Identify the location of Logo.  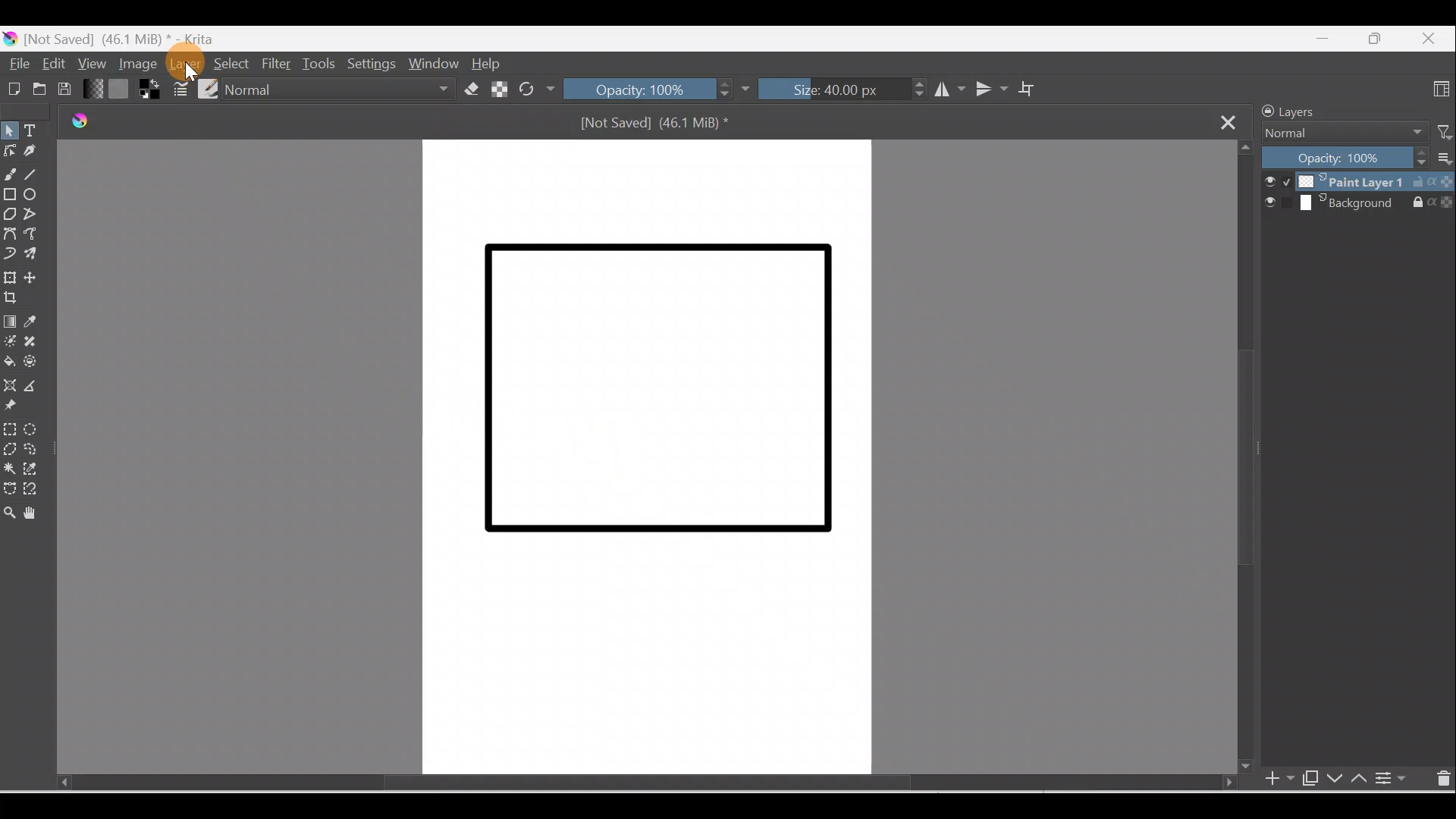
(75, 123).